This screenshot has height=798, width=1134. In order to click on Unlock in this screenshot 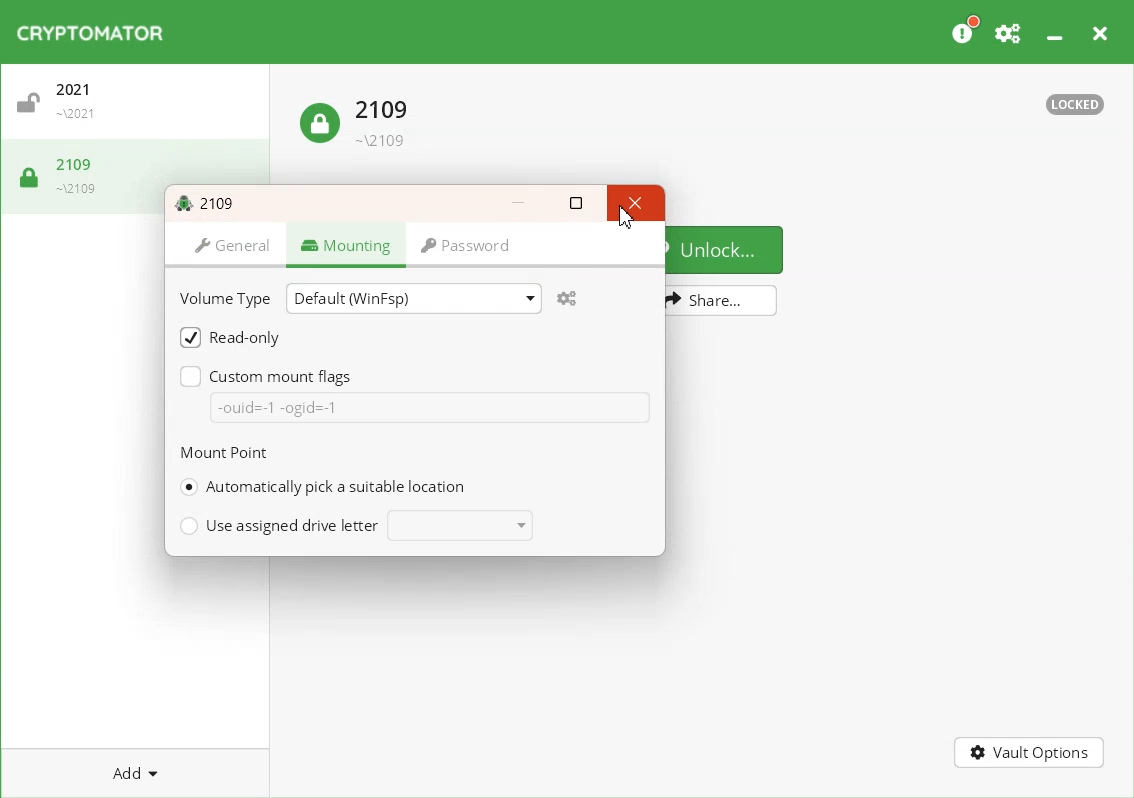, I will do `click(727, 248)`.